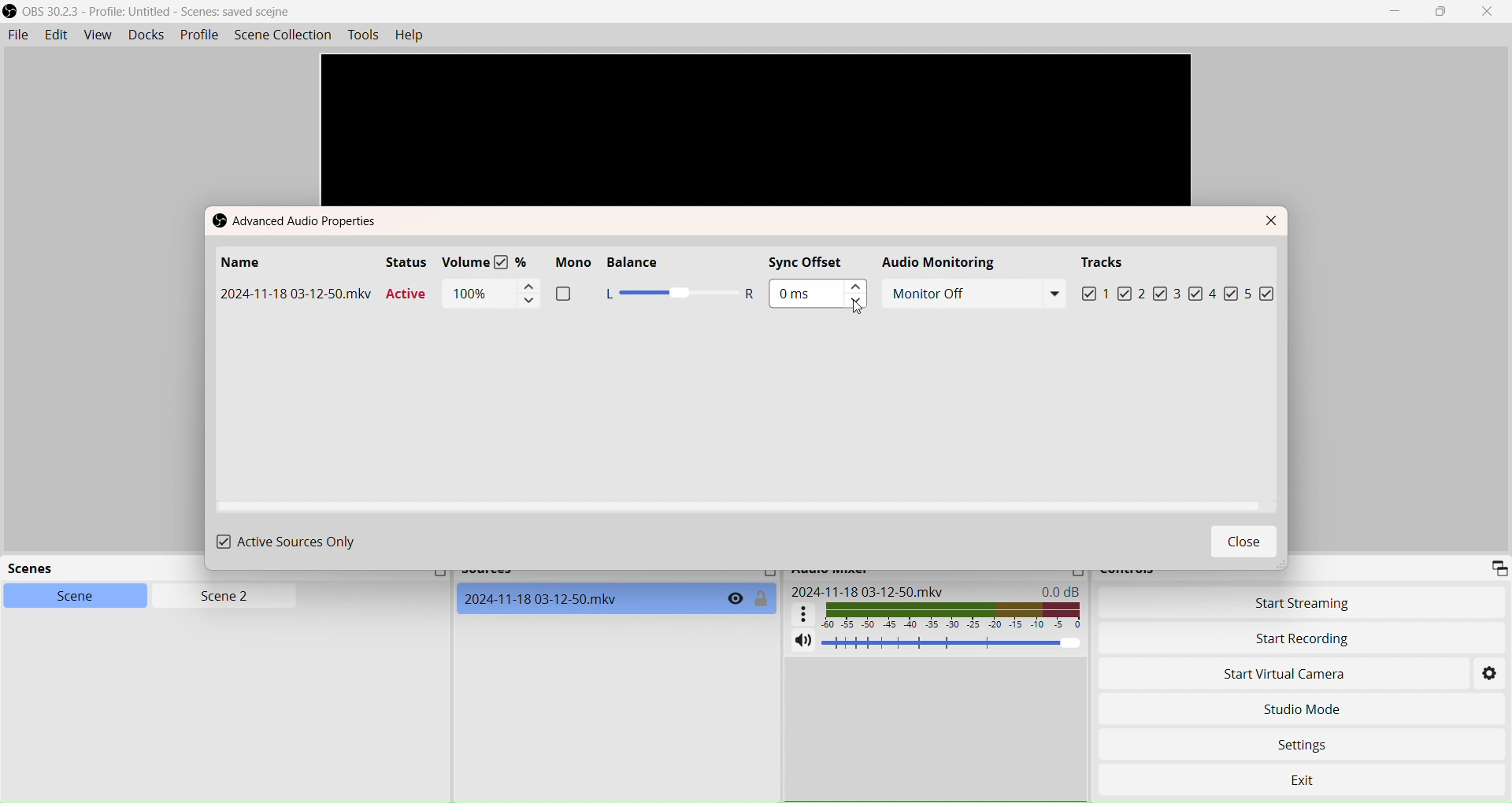  I want to click on Audio graph, so click(938, 614).